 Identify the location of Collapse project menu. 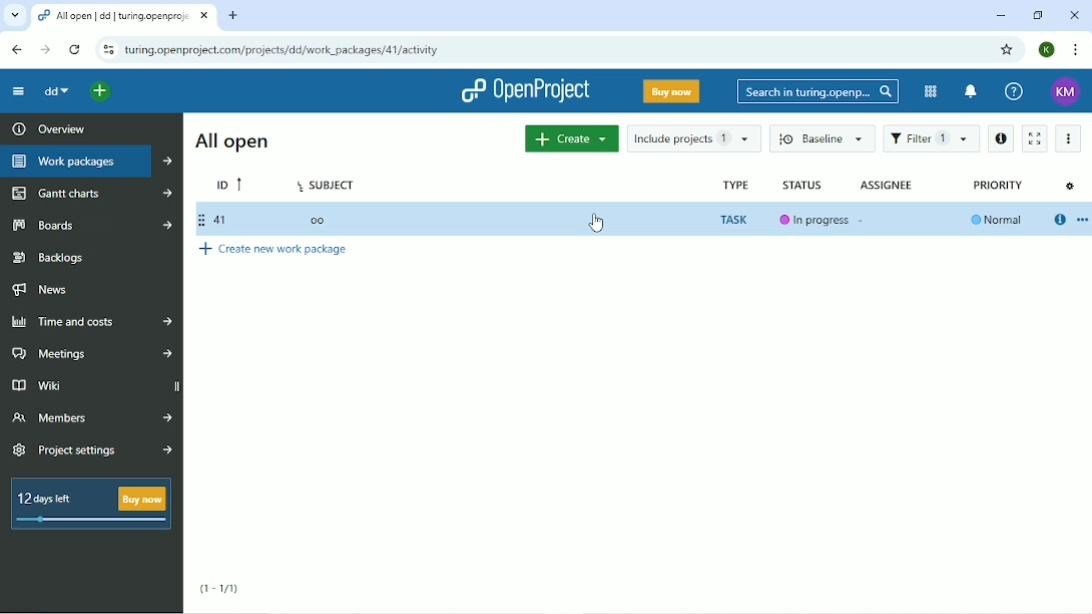
(19, 91).